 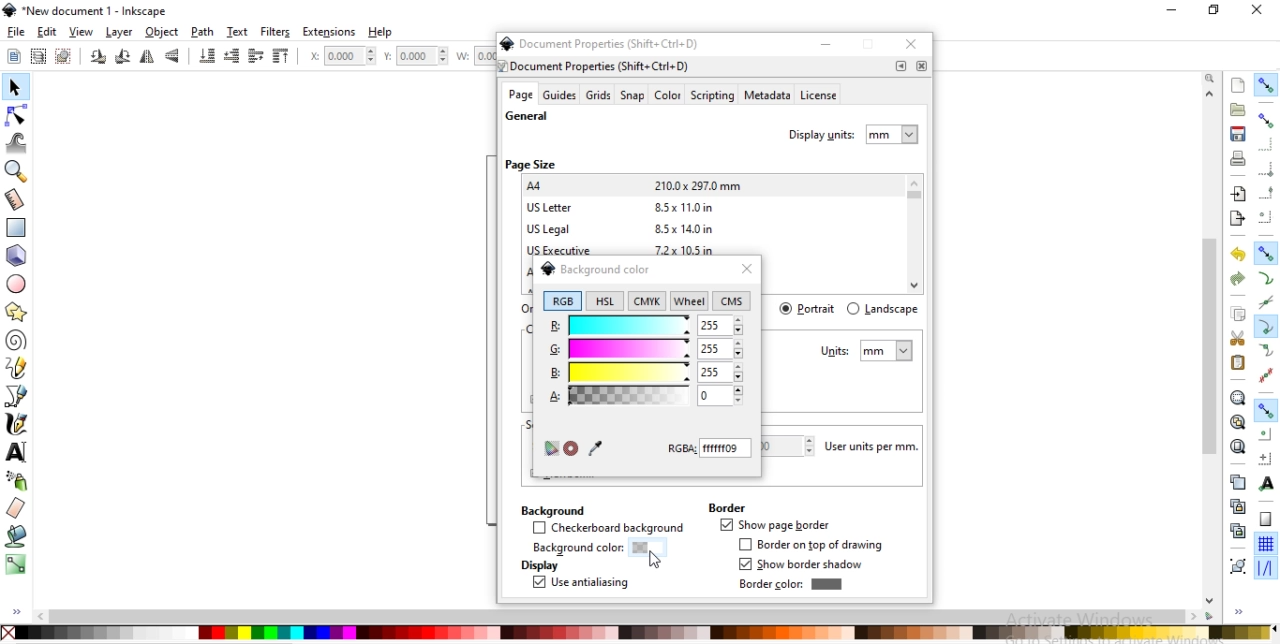 What do you see at coordinates (1264, 483) in the screenshot?
I see `snap text anchors and baselines` at bounding box center [1264, 483].